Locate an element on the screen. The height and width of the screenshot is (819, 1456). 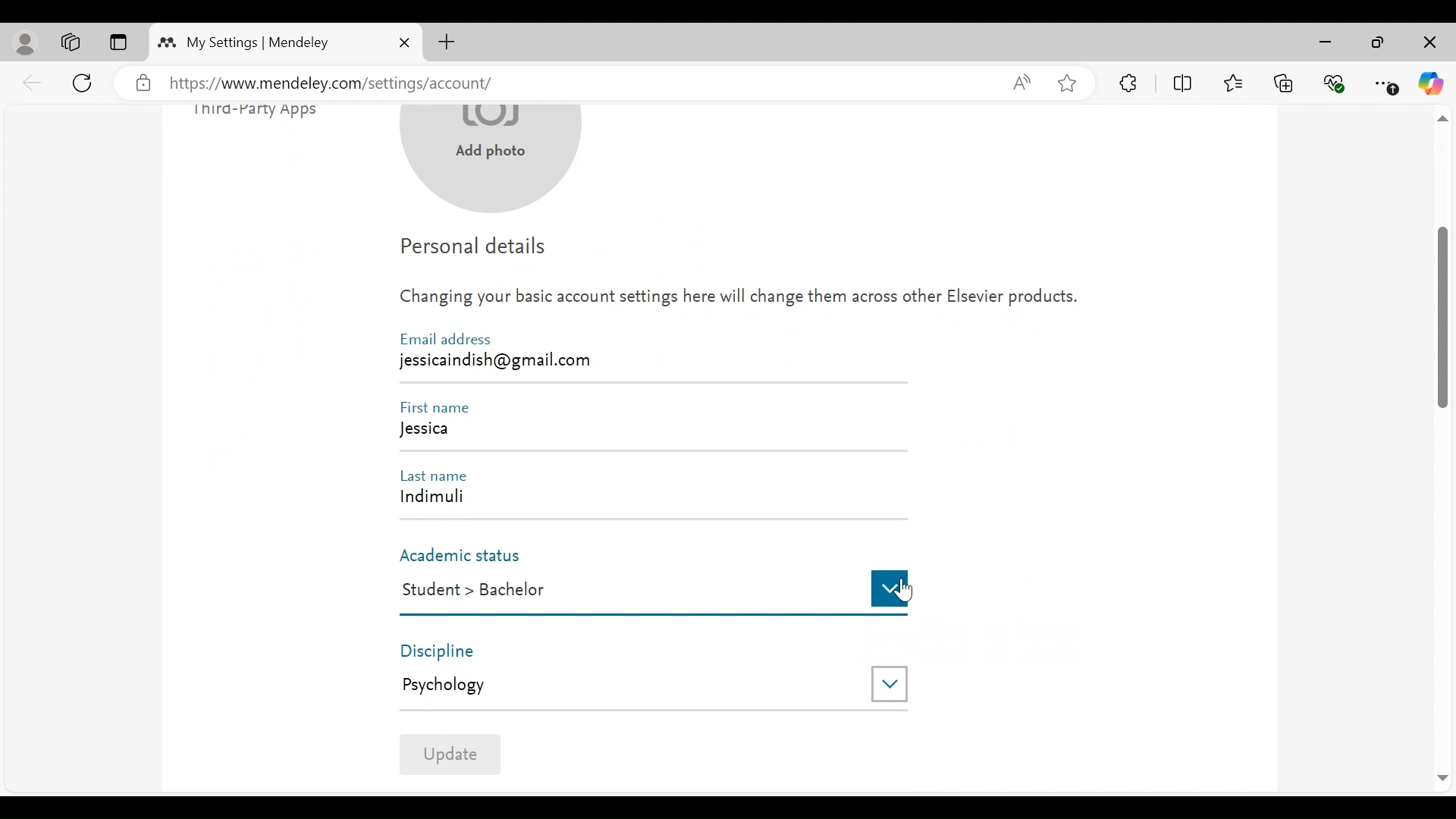
Close is located at coordinates (1428, 43).